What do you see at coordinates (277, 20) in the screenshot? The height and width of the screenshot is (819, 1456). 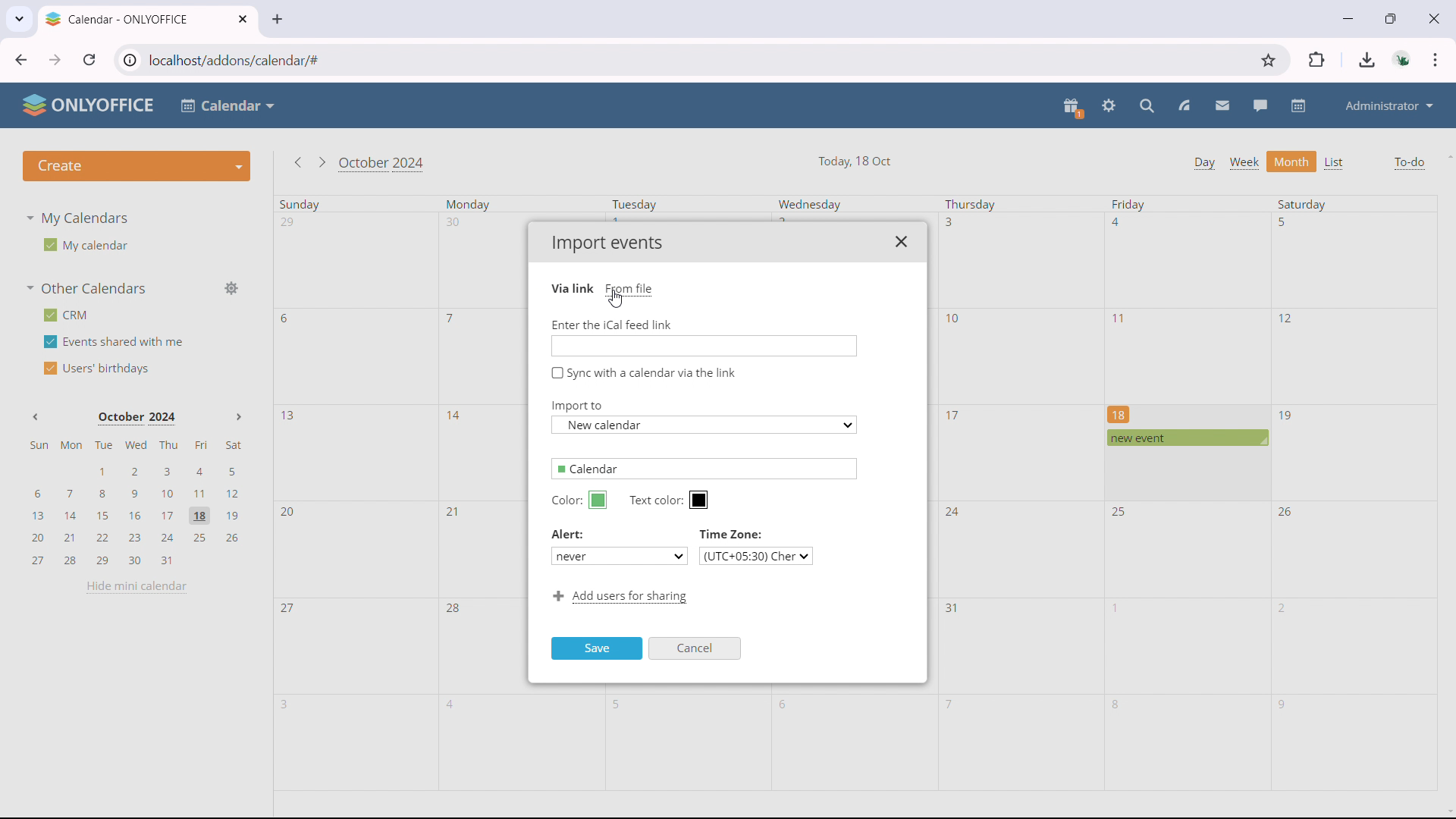 I see `new tab` at bounding box center [277, 20].